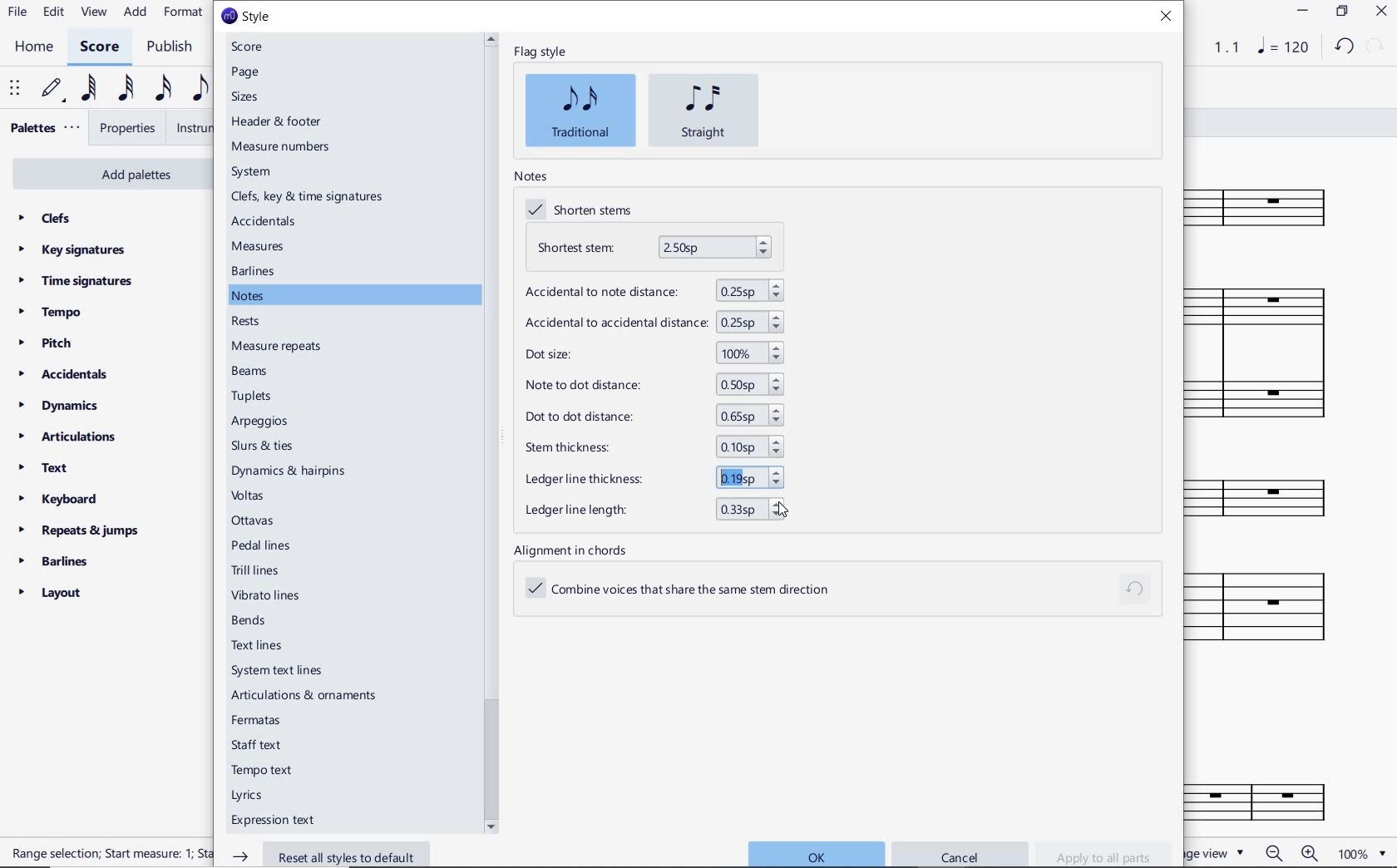 This screenshot has width=1397, height=868. I want to click on UNDO, so click(1345, 46).